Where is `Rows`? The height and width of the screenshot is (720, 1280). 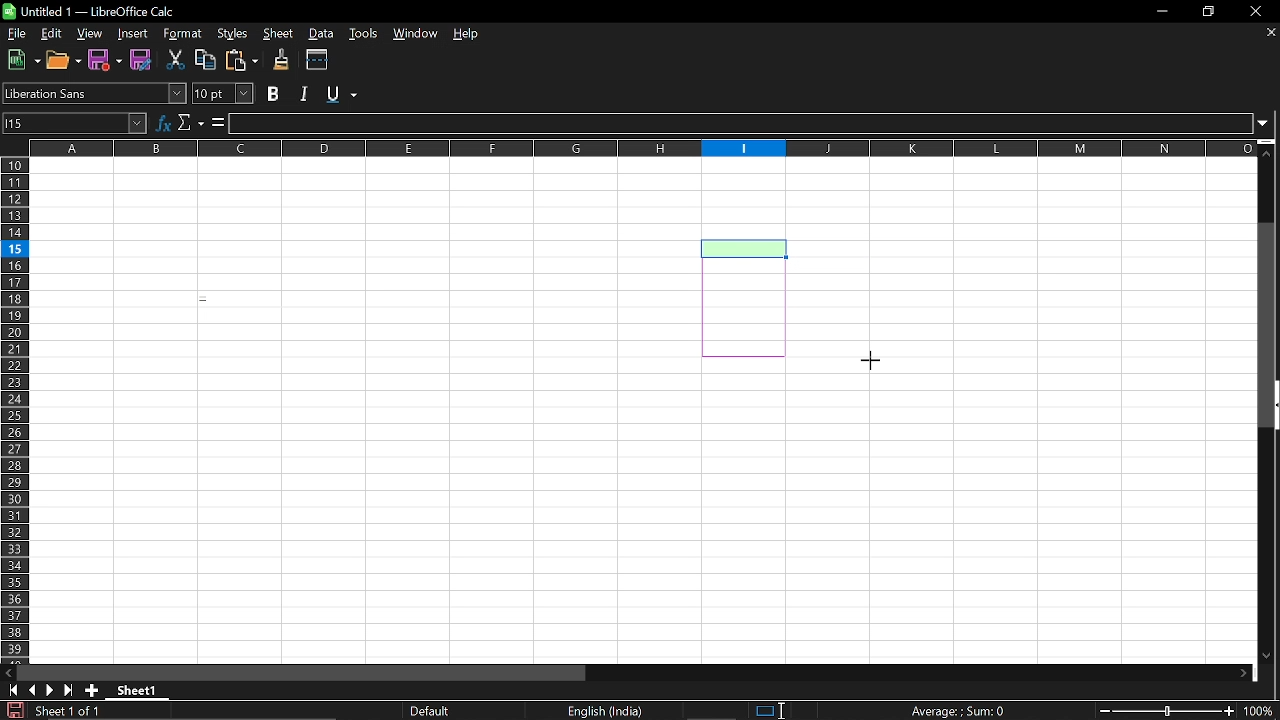
Rows is located at coordinates (14, 409).